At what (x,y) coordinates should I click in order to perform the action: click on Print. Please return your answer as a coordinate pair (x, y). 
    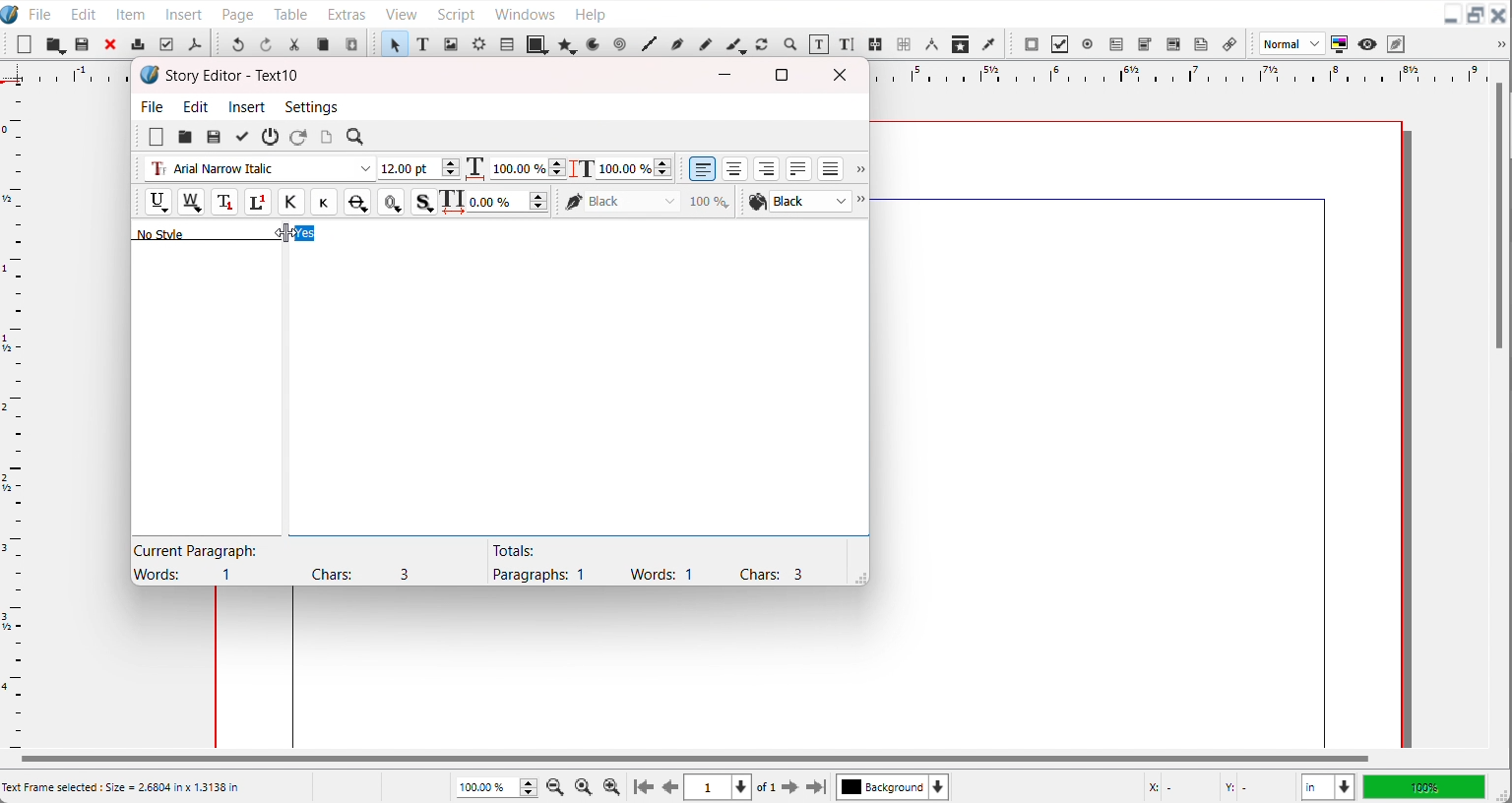
    Looking at the image, I should click on (139, 43).